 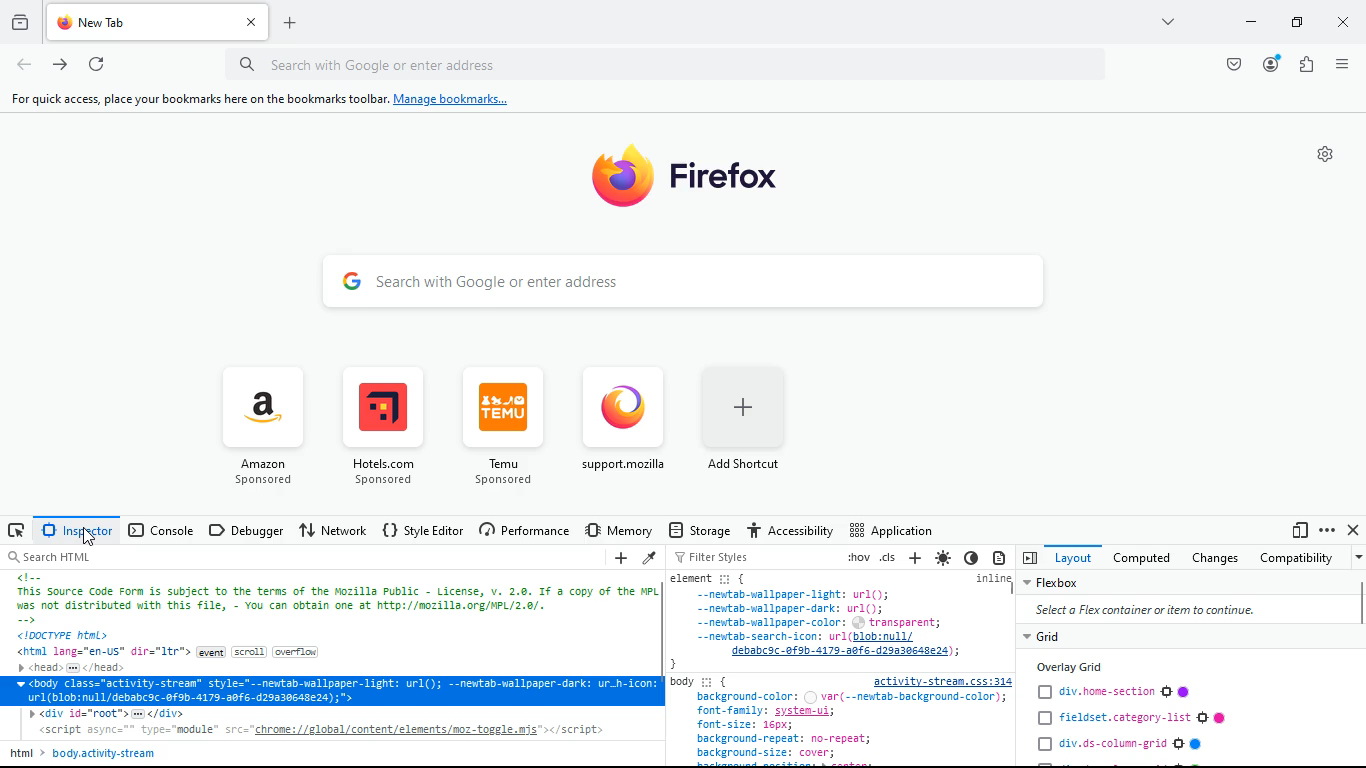 I want to click on For quick access, place your bookmarks here on the bookmarks toolbar, so click(x=195, y=99).